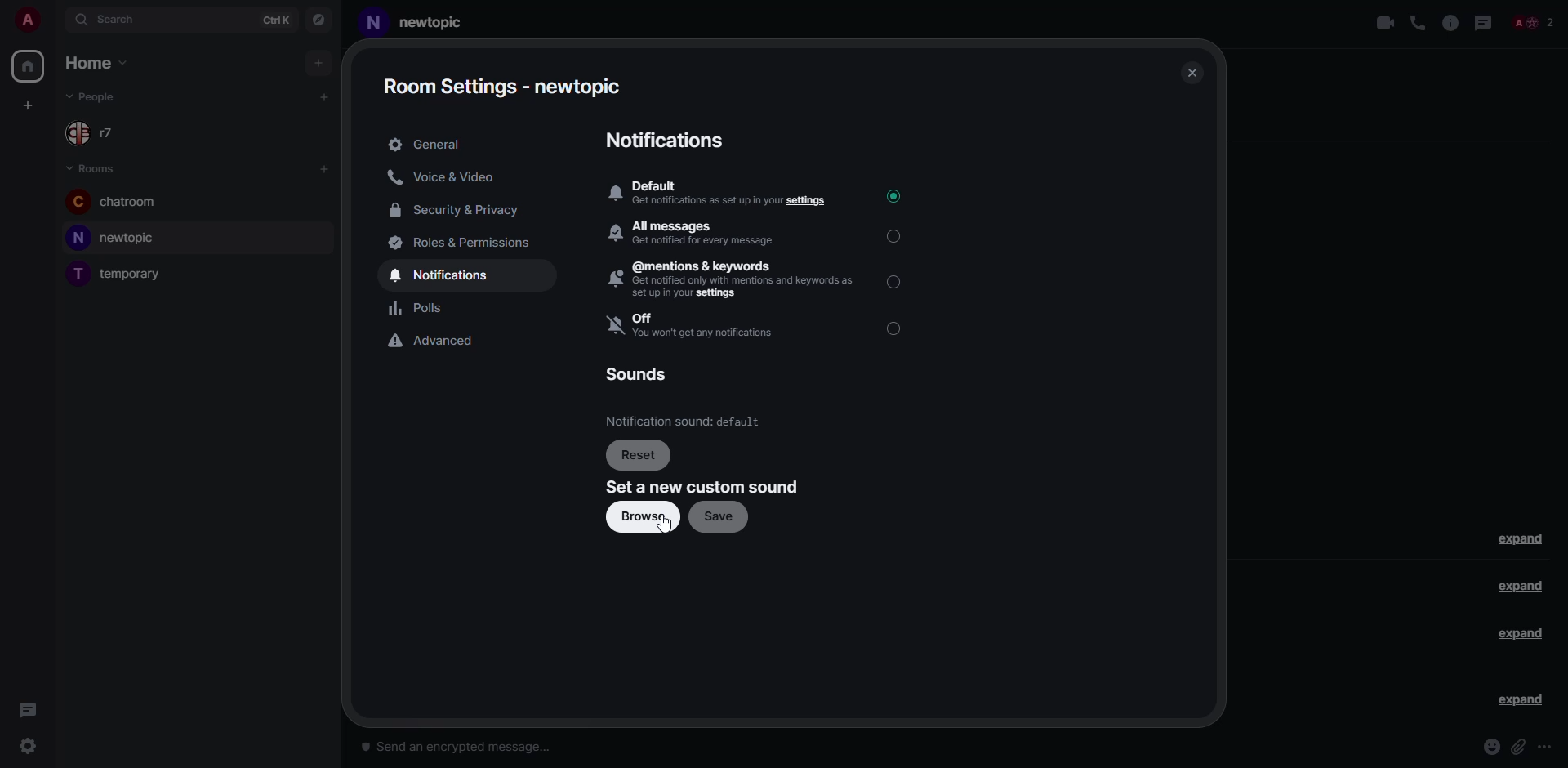 The width and height of the screenshot is (1568, 768). I want to click on reset, so click(639, 456).